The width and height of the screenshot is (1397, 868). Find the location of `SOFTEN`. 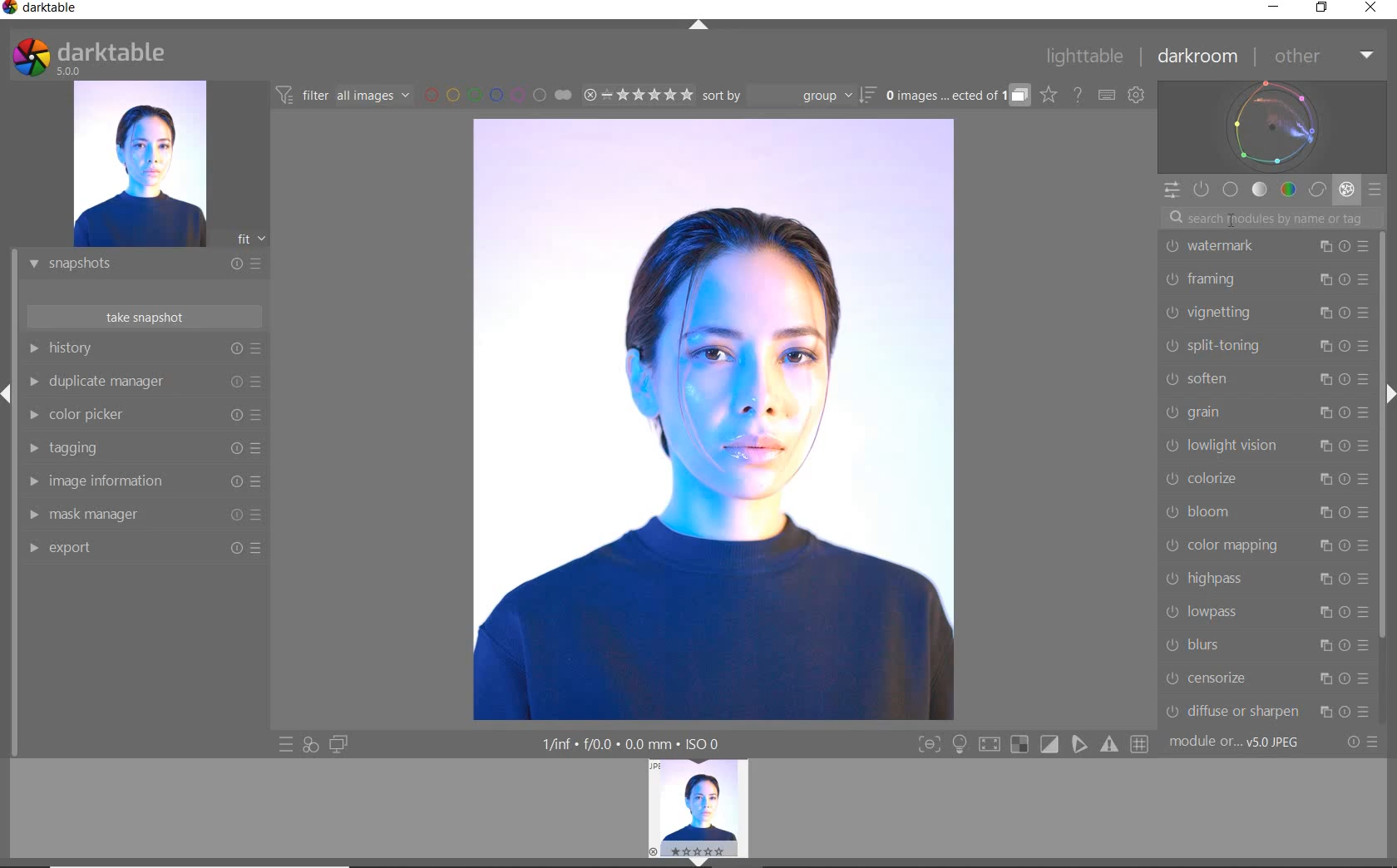

SOFTEN is located at coordinates (1265, 377).